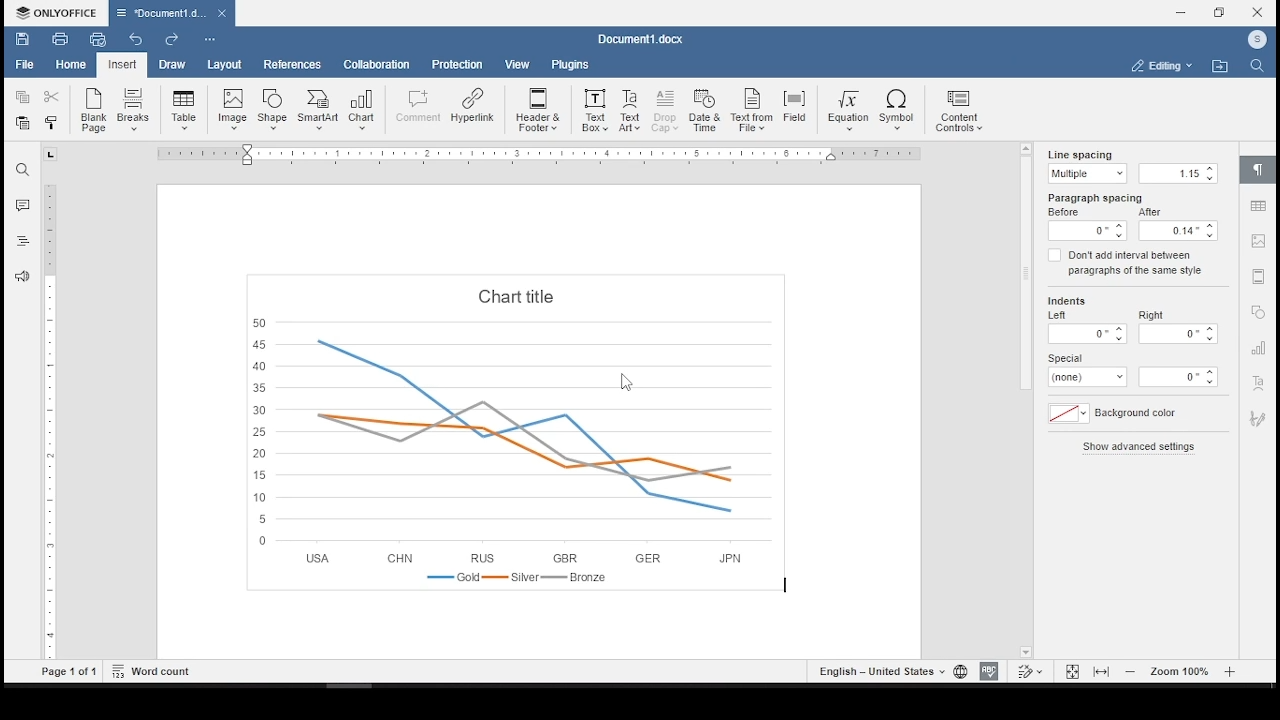 This screenshot has width=1280, height=720. What do you see at coordinates (631, 110) in the screenshot?
I see `text art` at bounding box center [631, 110].